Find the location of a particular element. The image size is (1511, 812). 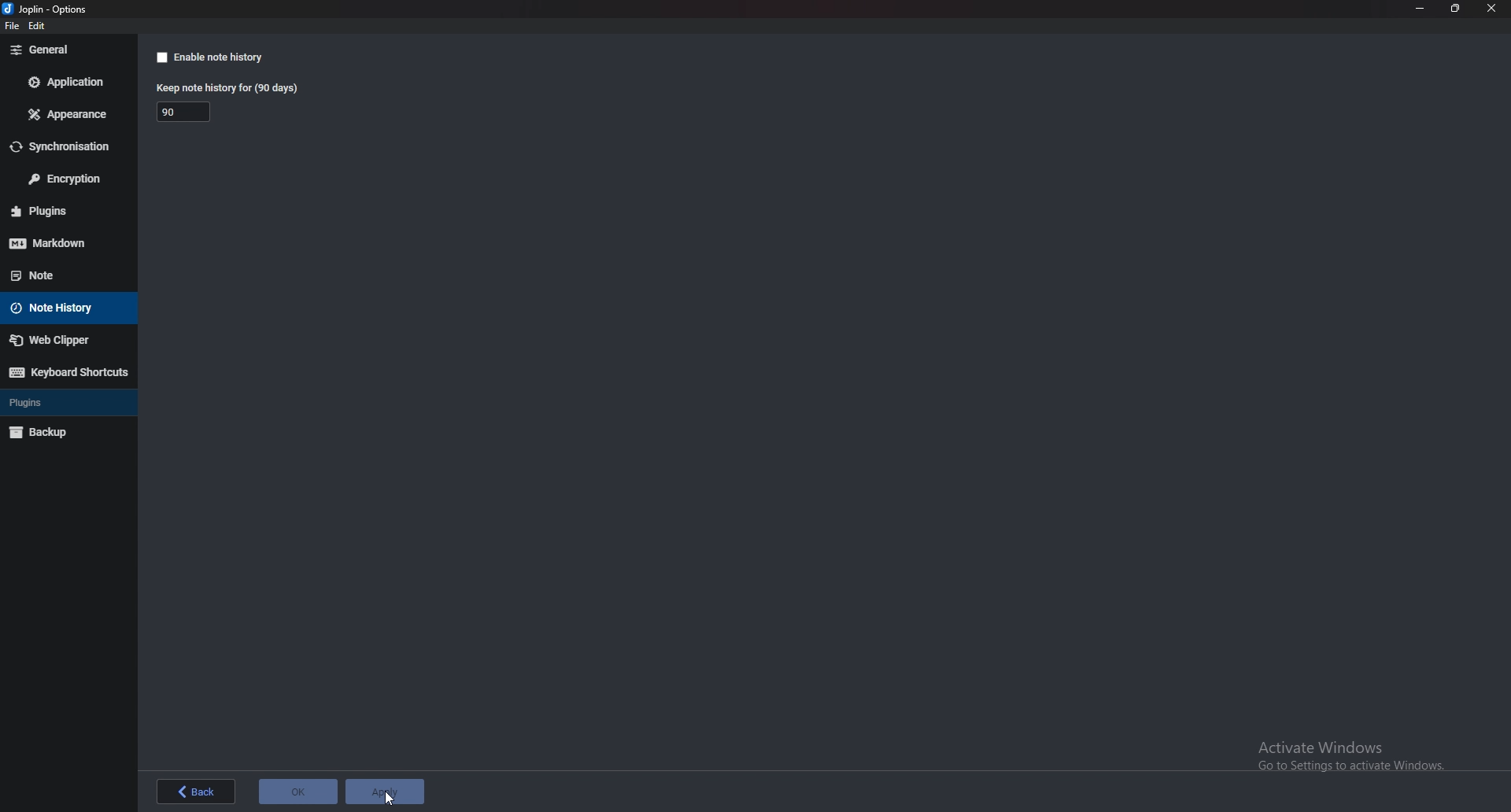

Synchronization is located at coordinates (68, 146).